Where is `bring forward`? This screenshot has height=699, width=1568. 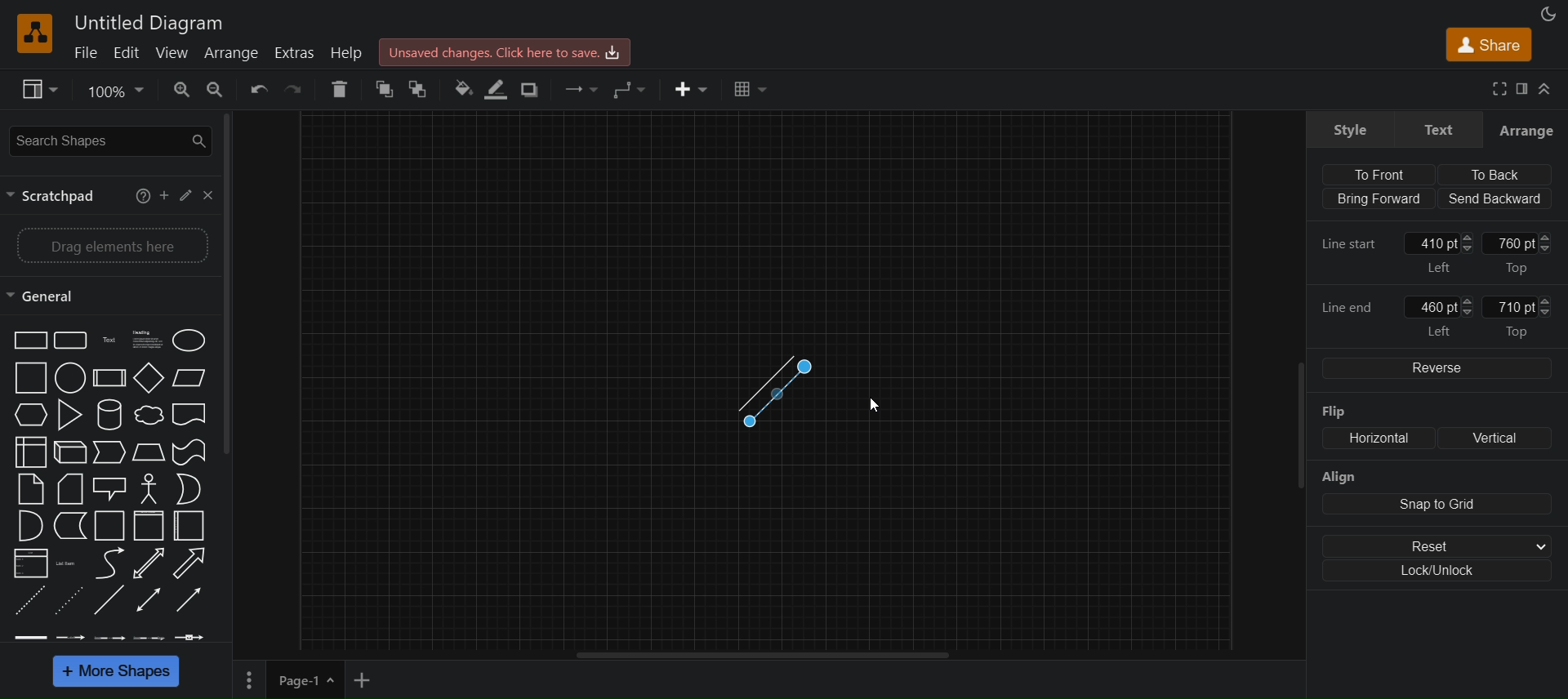 bring forward is located at coordinates (1375, 199).